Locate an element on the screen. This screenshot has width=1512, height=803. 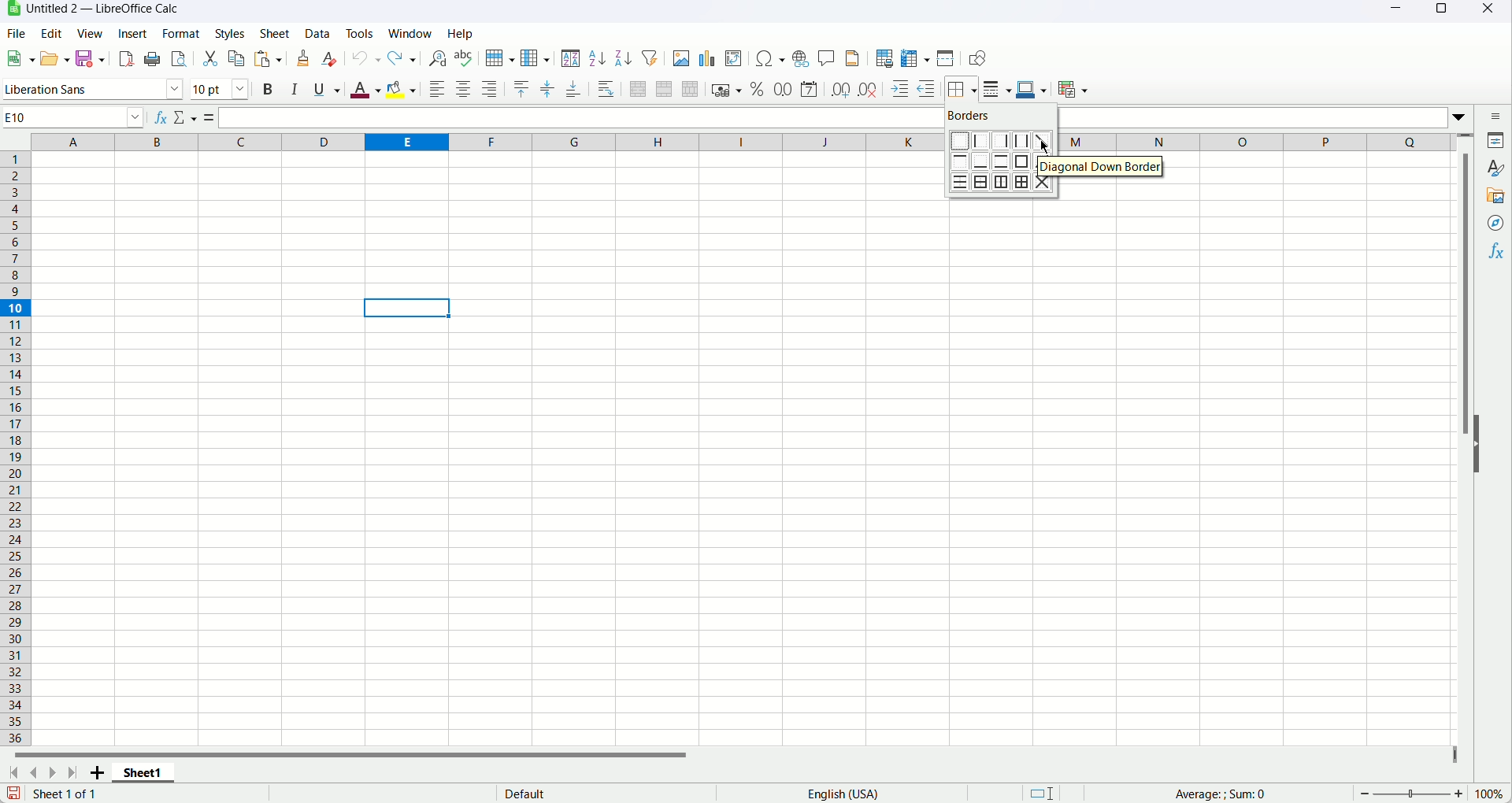
Border color is located at coordinates (1032, 91).